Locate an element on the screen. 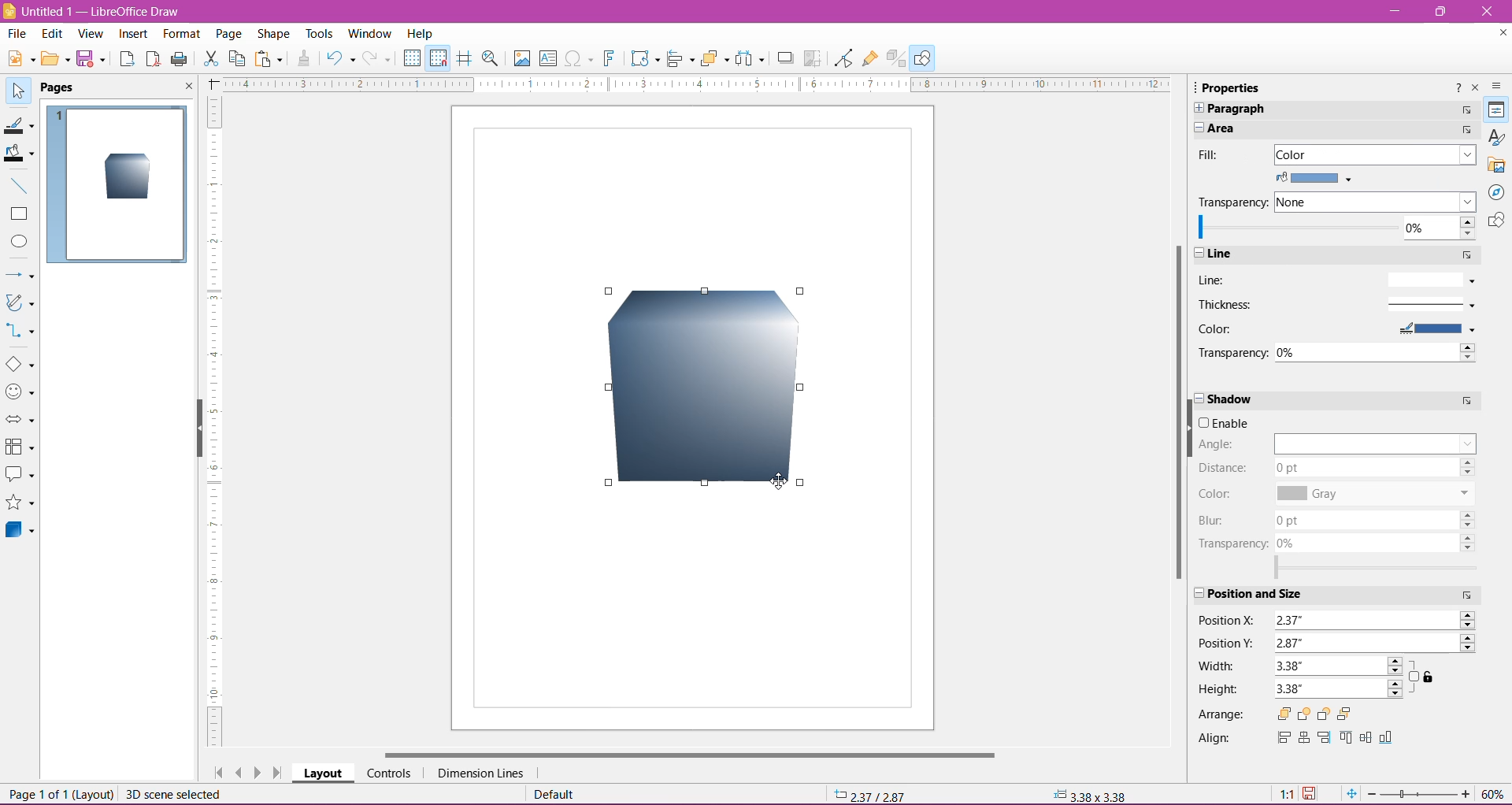  Shadow is located at coordinates (1315, 400).